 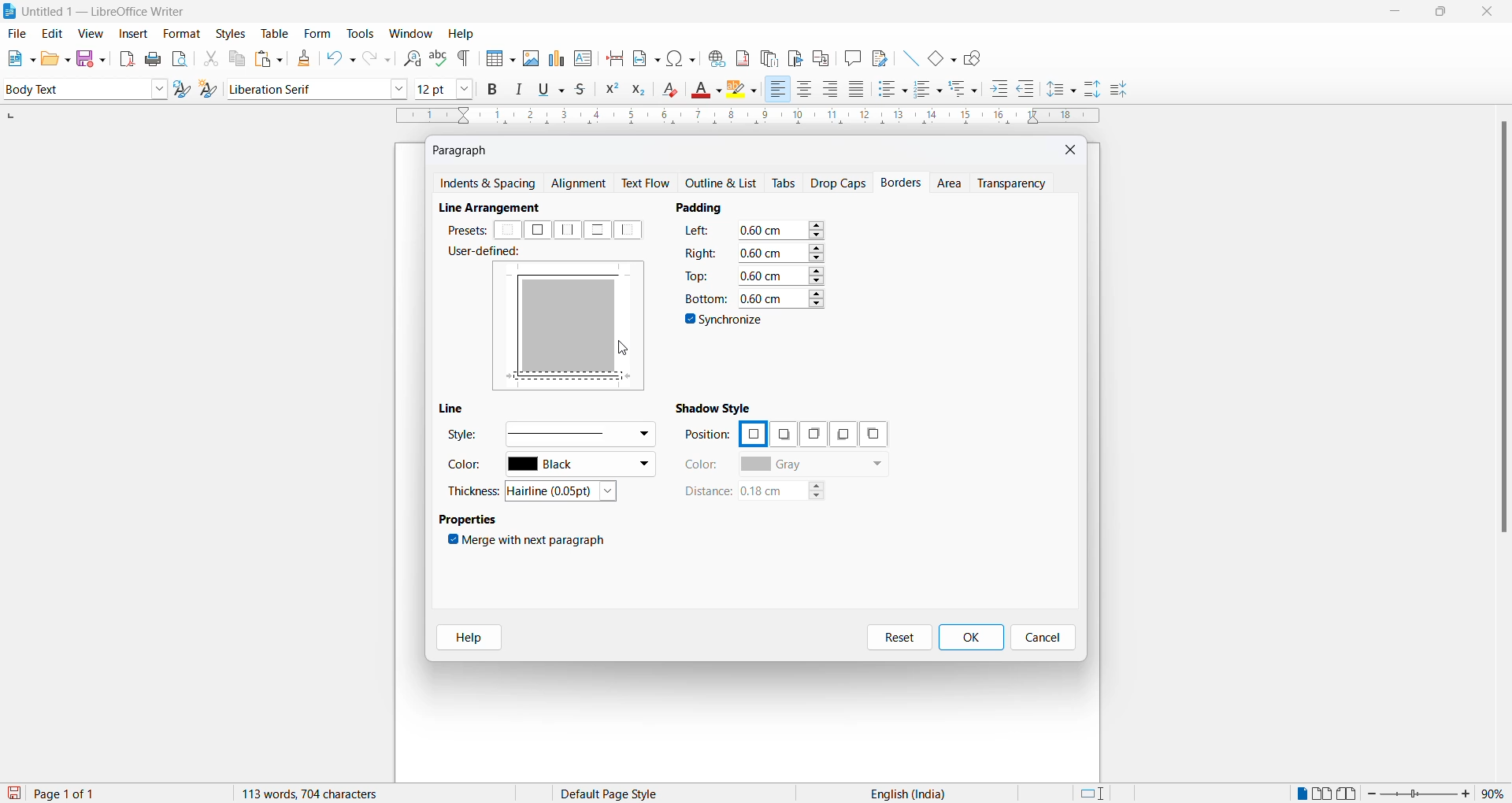 What do you see at coordinates (212, 91) in the screenshot?
I see `create new style from selection` at bounding box center [212, 91].